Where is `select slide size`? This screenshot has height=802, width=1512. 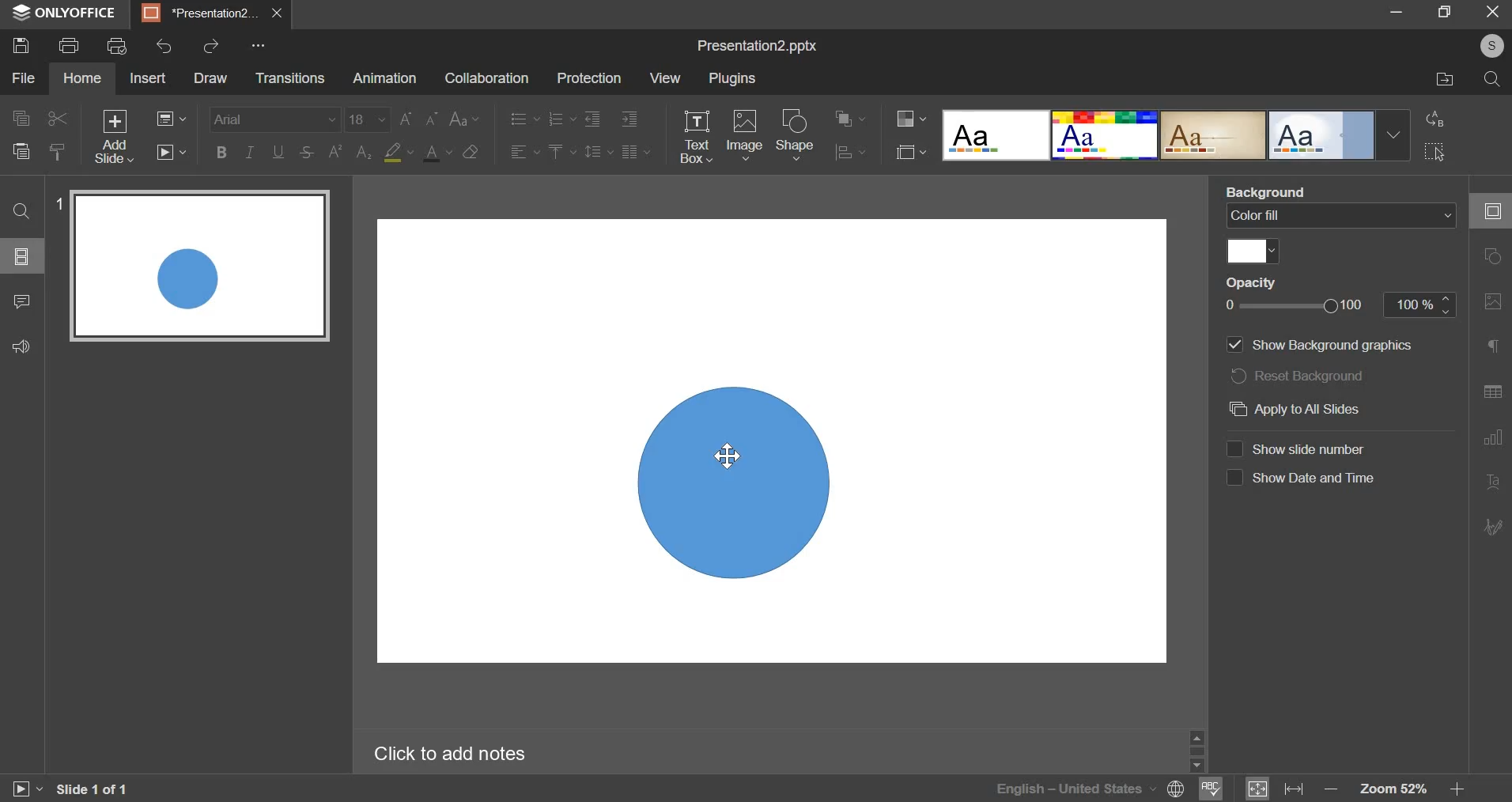
select slide size is located at coordinates (909, 154).